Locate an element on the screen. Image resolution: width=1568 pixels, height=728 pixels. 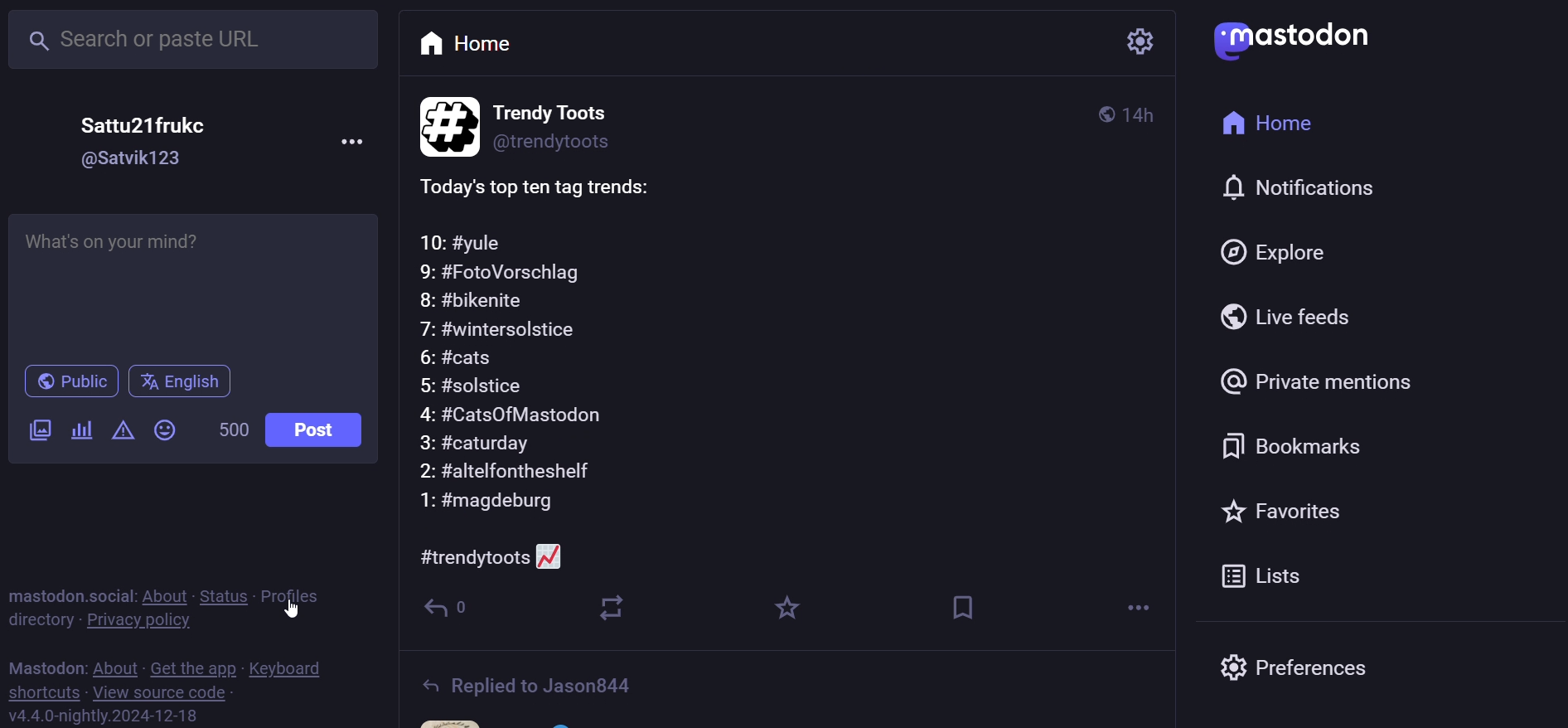
mastodon social is located at coordinates (68, 595).